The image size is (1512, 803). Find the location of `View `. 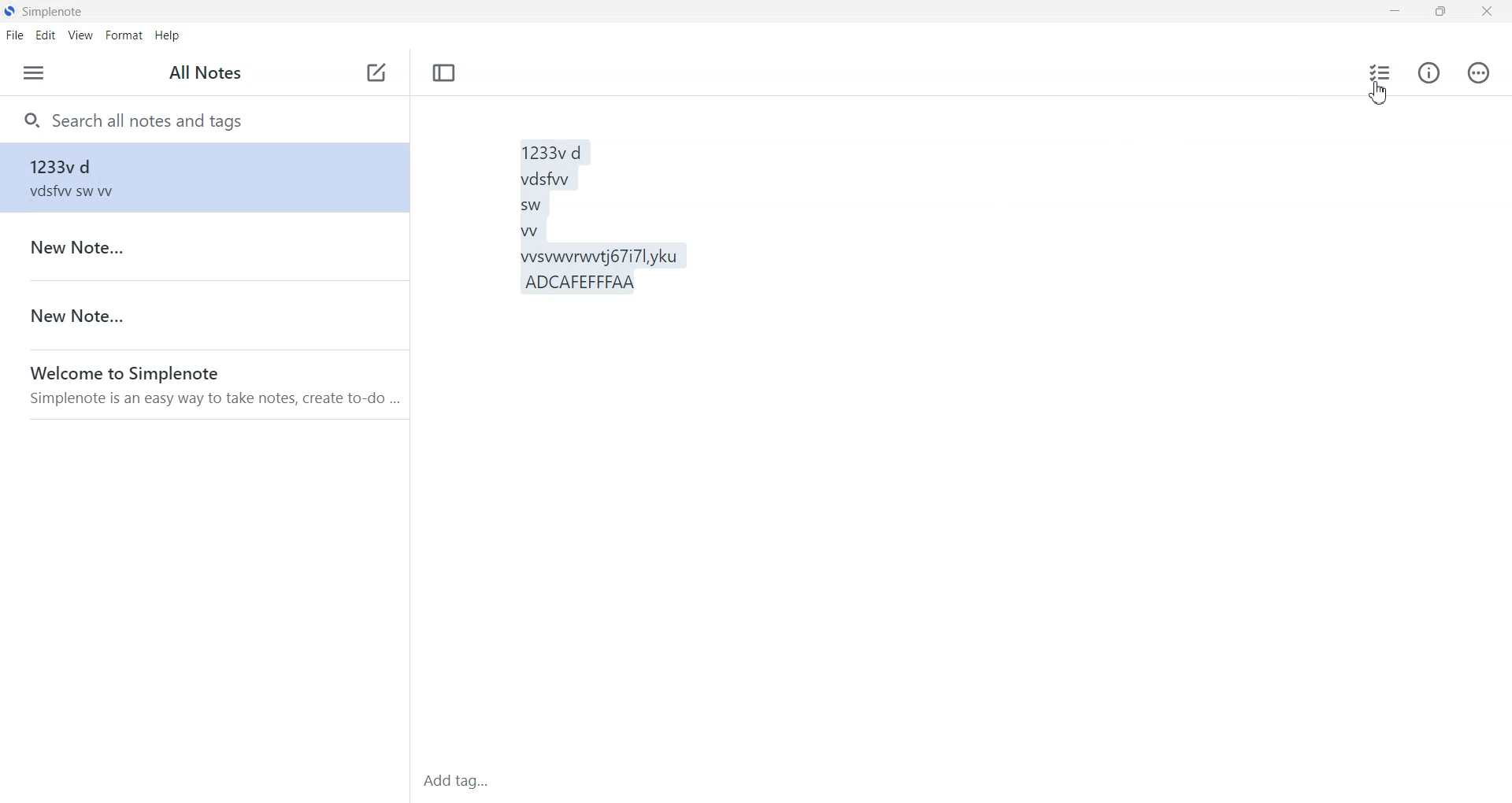

View  is located at coordinates (81, 36).